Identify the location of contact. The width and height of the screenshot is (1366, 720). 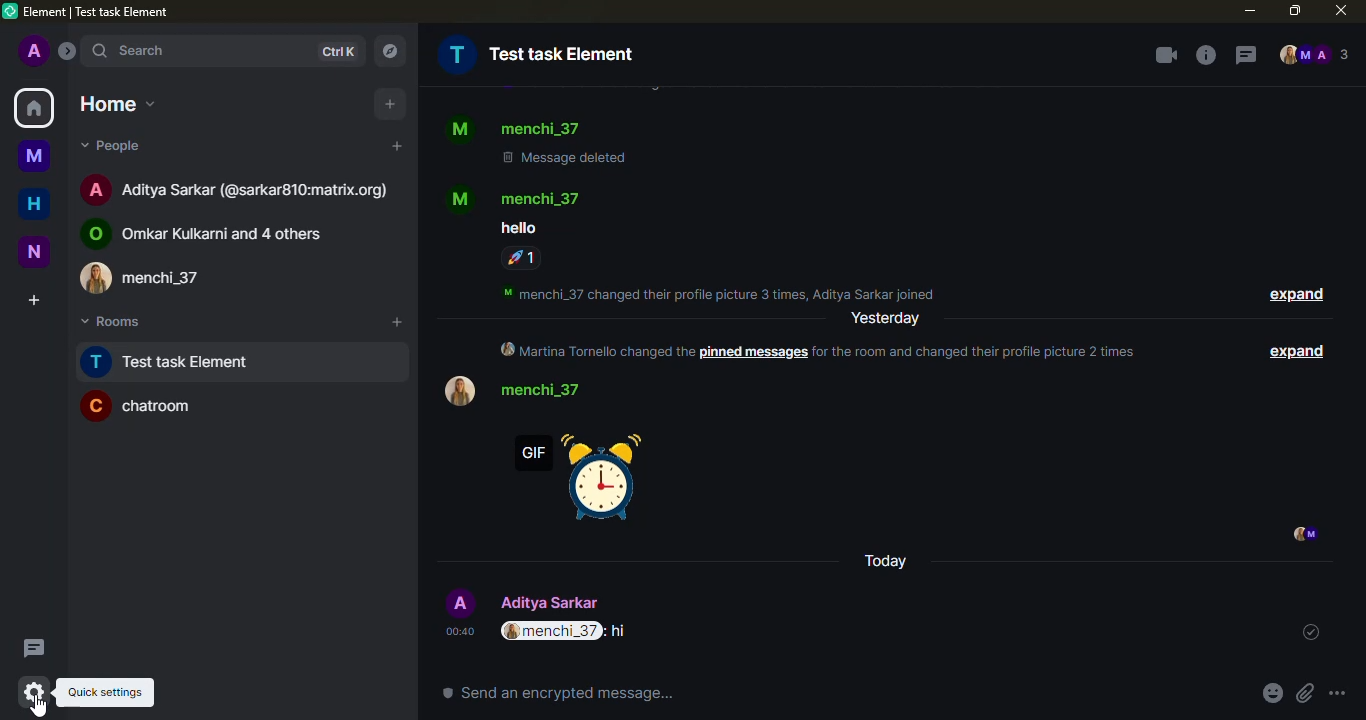
(548, 197).